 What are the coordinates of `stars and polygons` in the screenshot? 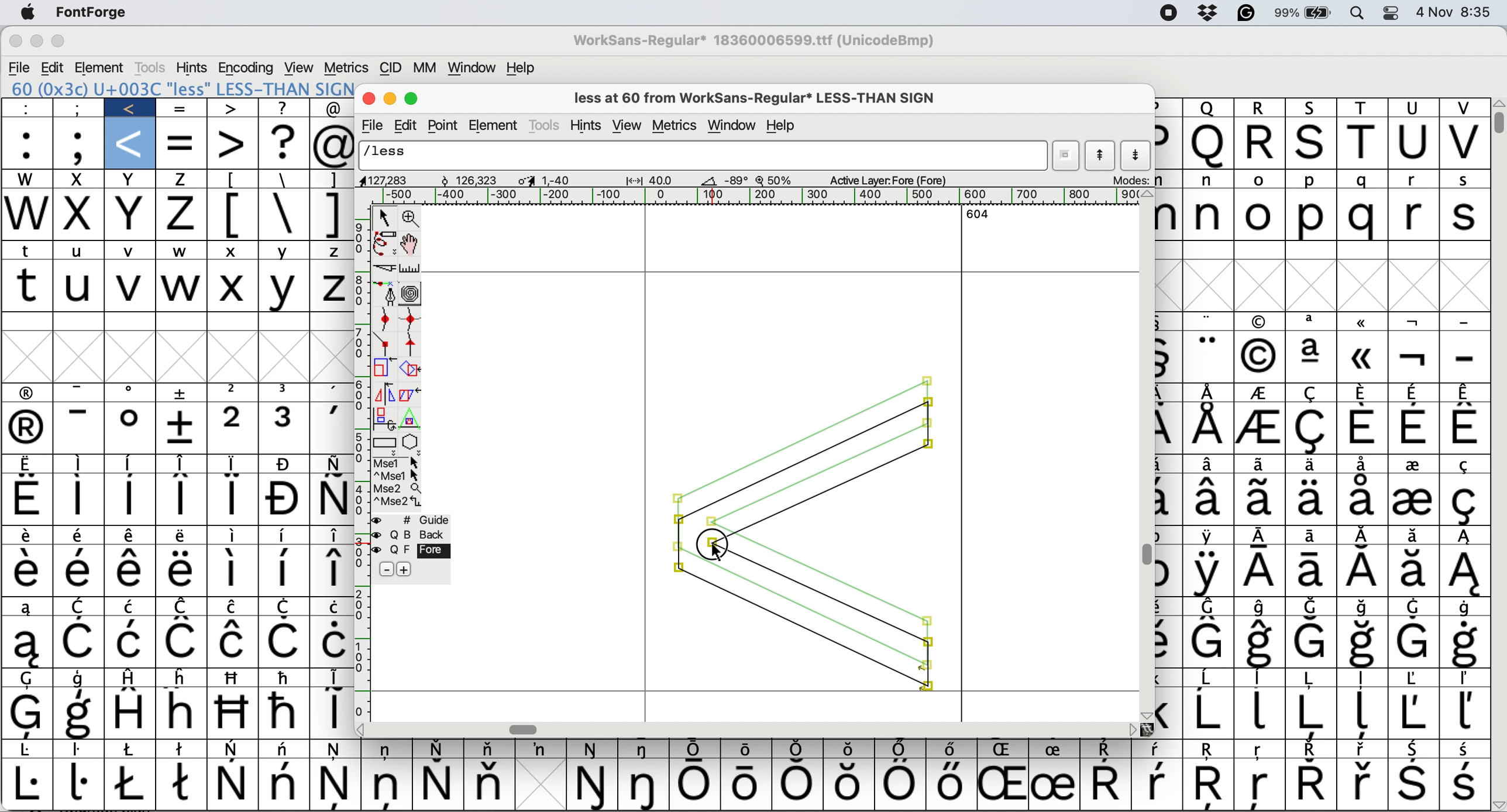 It's located at (412, 440).